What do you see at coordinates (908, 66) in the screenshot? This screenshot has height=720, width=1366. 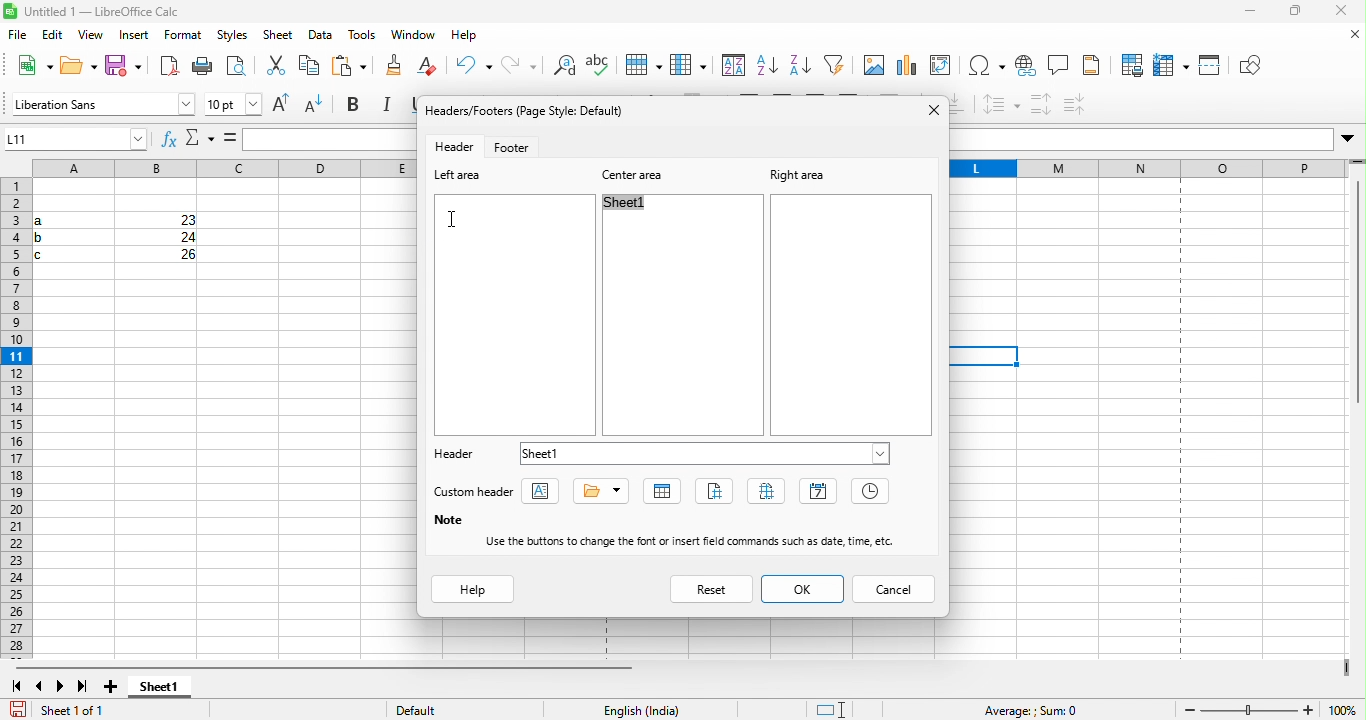 I see `chart` at bounding box center [908, 66].